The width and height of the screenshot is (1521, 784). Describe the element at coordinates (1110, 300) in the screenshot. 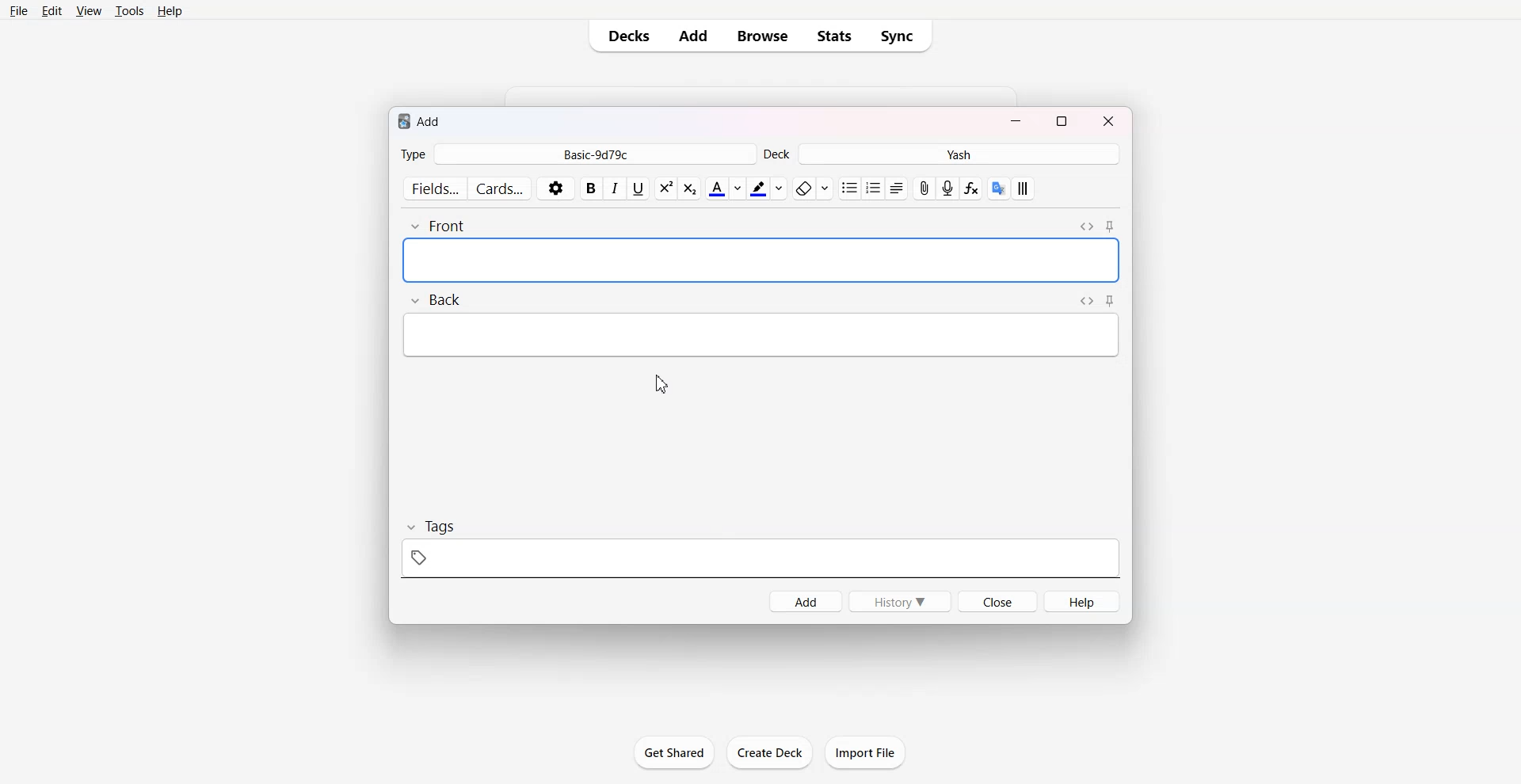

I see `Toggle Sticky` at that location.